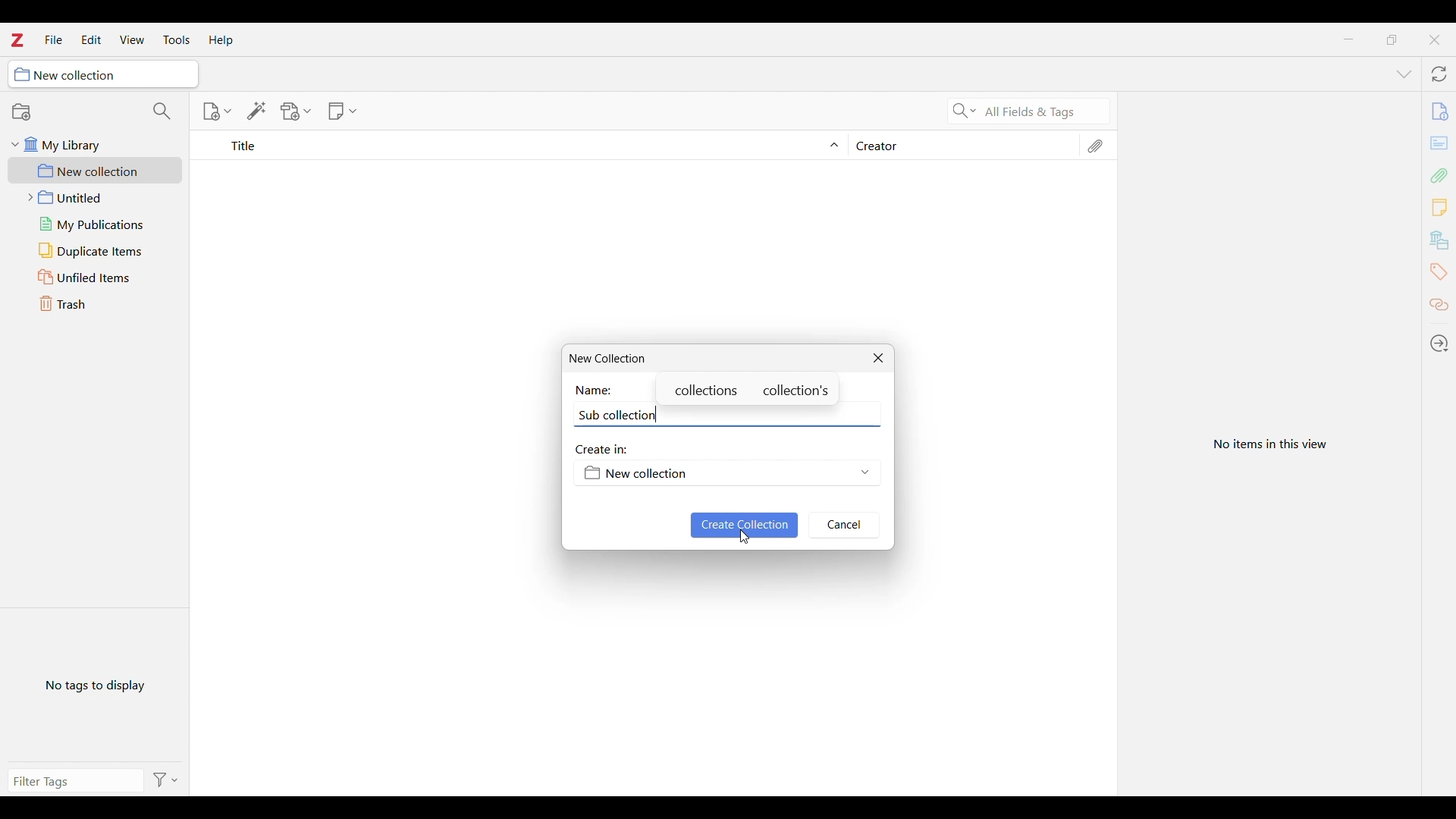 The image size is (1456, 819). What do you see at coordinates (163, 111) in the screenshot?
I see `Filter collections` at bounding box center [163, 111].